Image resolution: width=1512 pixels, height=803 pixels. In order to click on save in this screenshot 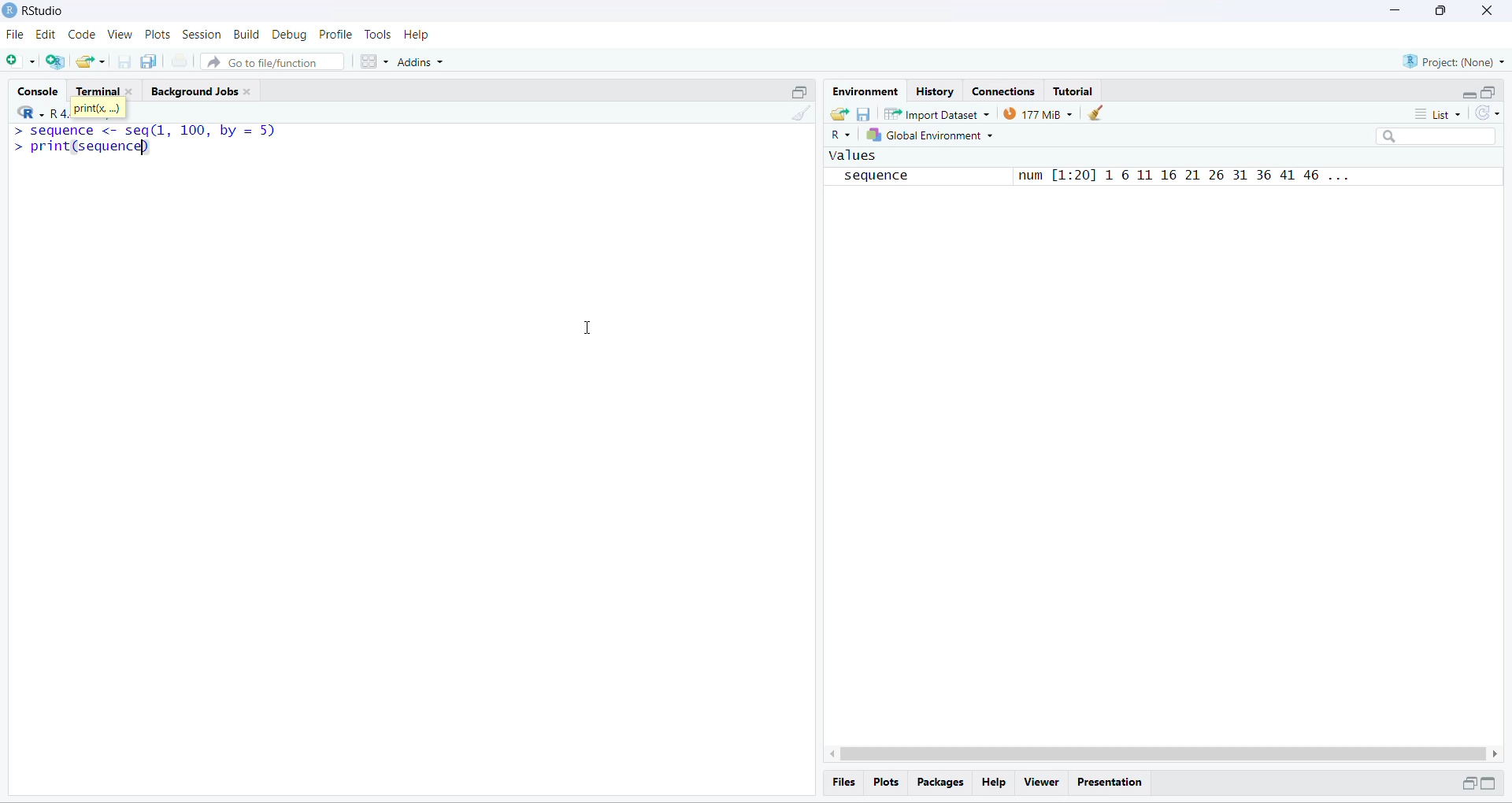, I will do `click(864, 115)`.